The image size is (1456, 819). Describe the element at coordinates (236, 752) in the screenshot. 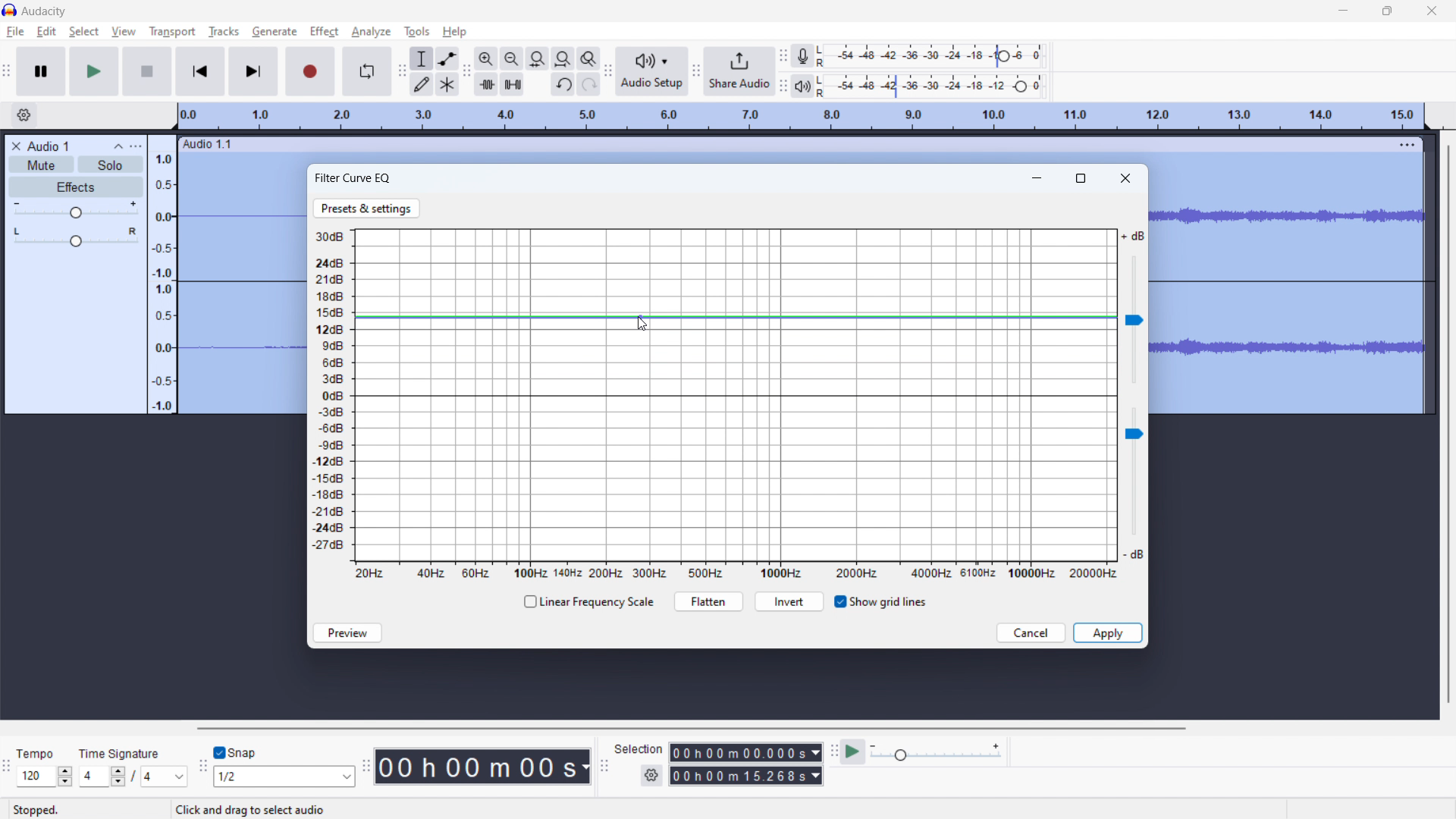

I see `snap toggle` at that location.